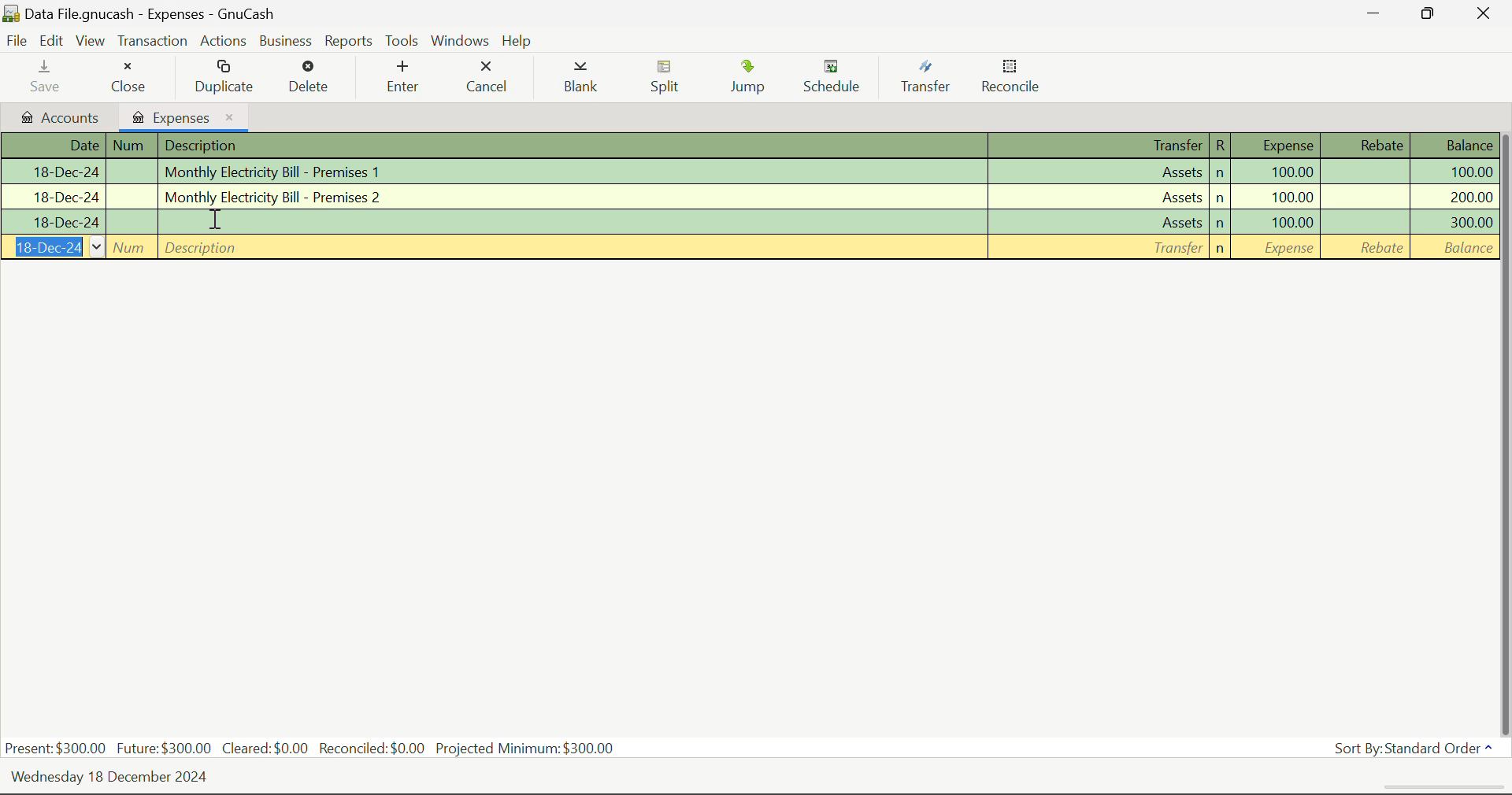 The image size is (1512, 795). Describe the element at coordinates (755, 79) in the screenshot. I see `Jump ` at that location.